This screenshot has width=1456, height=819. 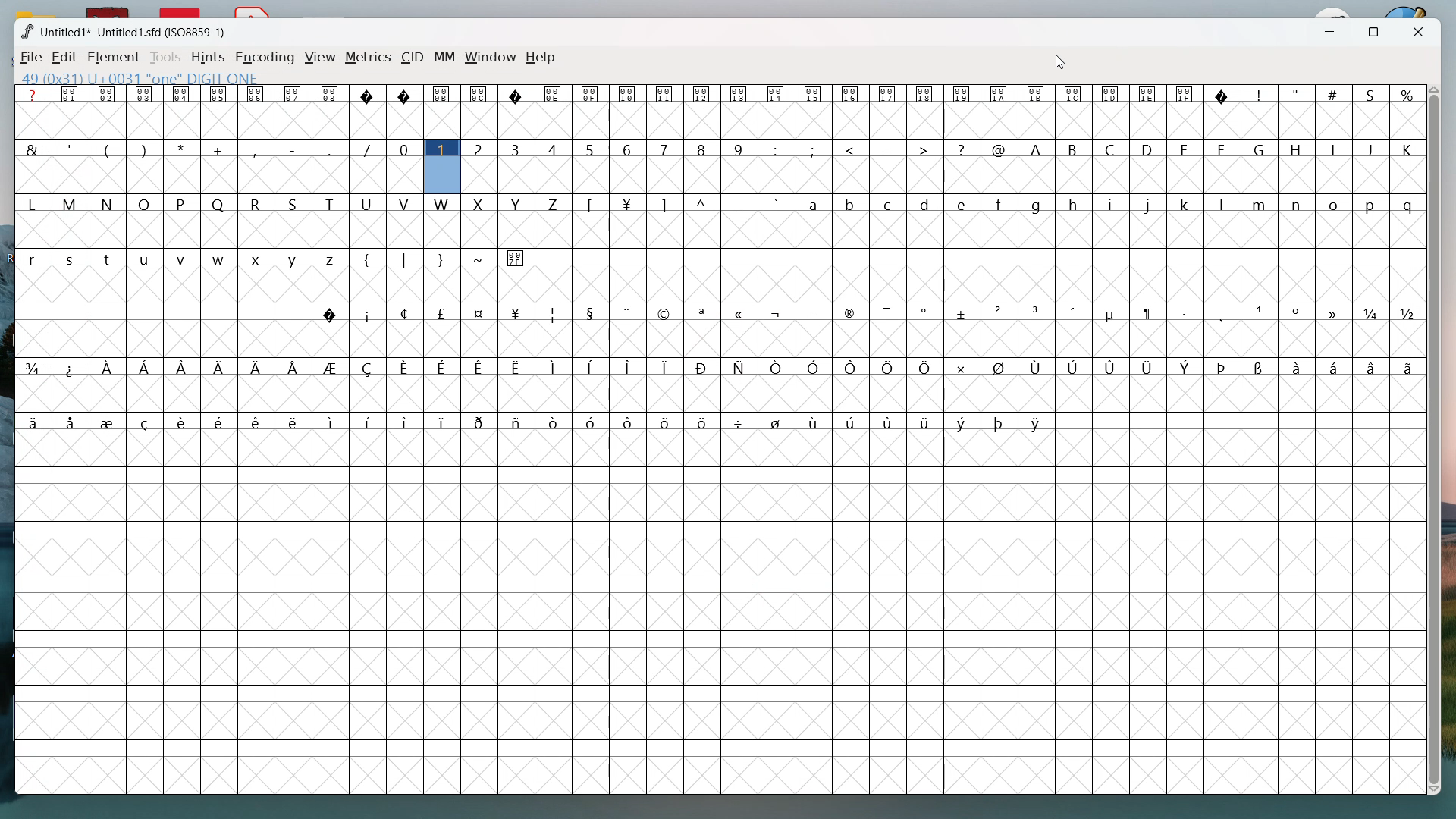 What do you see at coordinates (703, 93) in the screenshot?
I see `symbol` at bounding box center [703, 93].